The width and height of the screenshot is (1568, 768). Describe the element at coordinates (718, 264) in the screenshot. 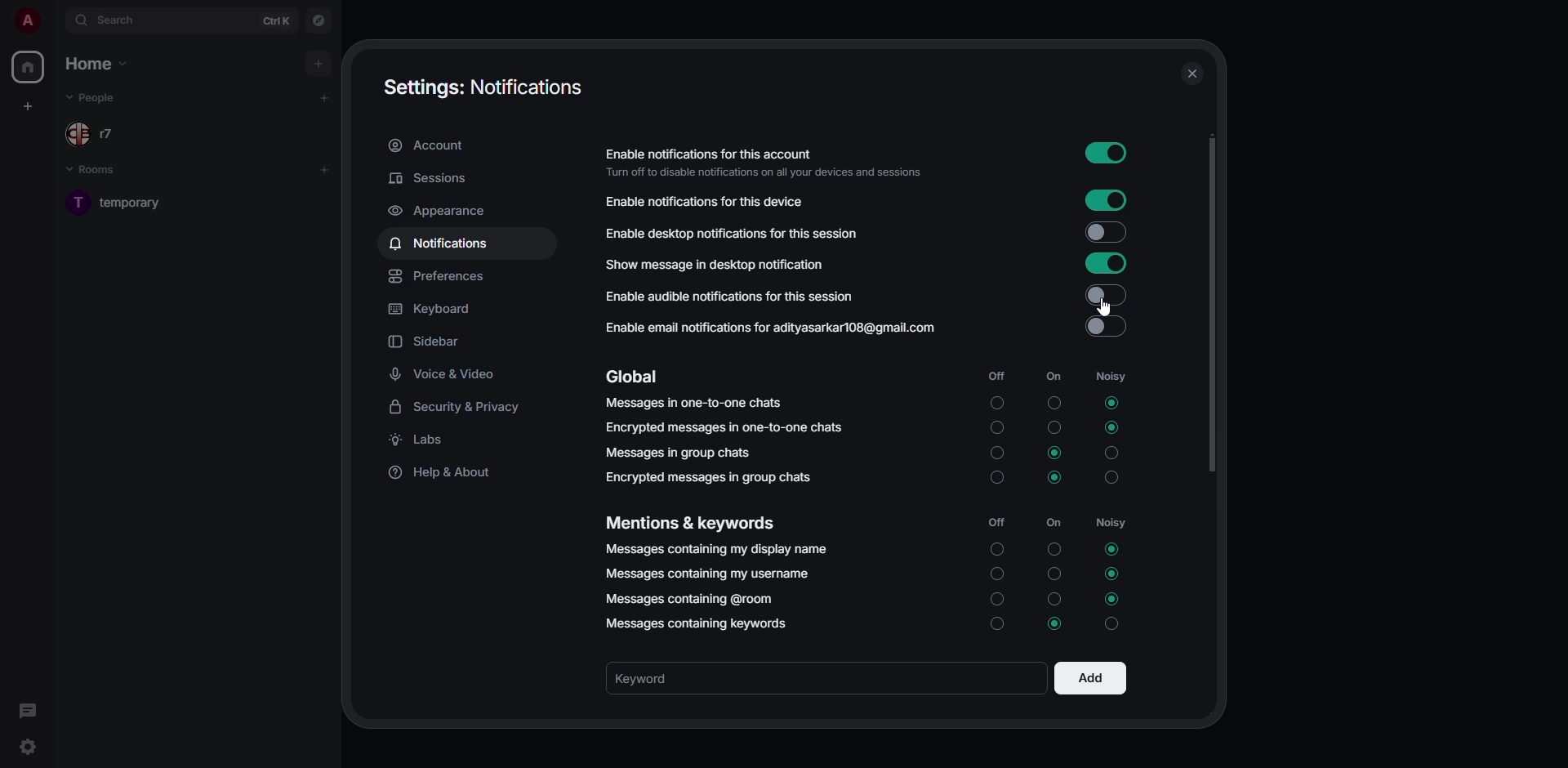

I see `show message in desktop notification` at that location.